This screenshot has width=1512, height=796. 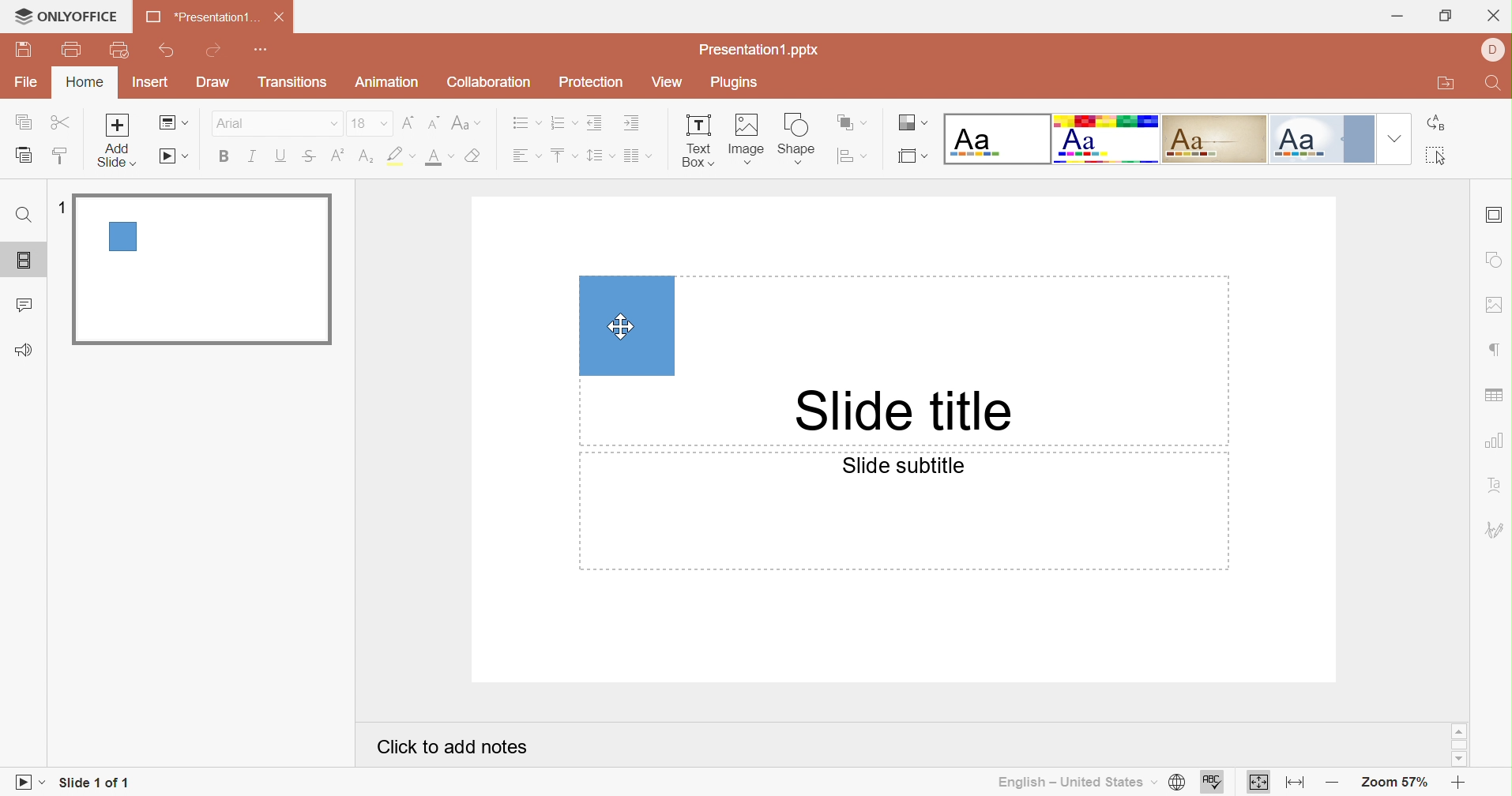 What do you see at coordinates (1447, 19) in the screenshot?
I see `Restore down` at bounding box center [1447, 19].